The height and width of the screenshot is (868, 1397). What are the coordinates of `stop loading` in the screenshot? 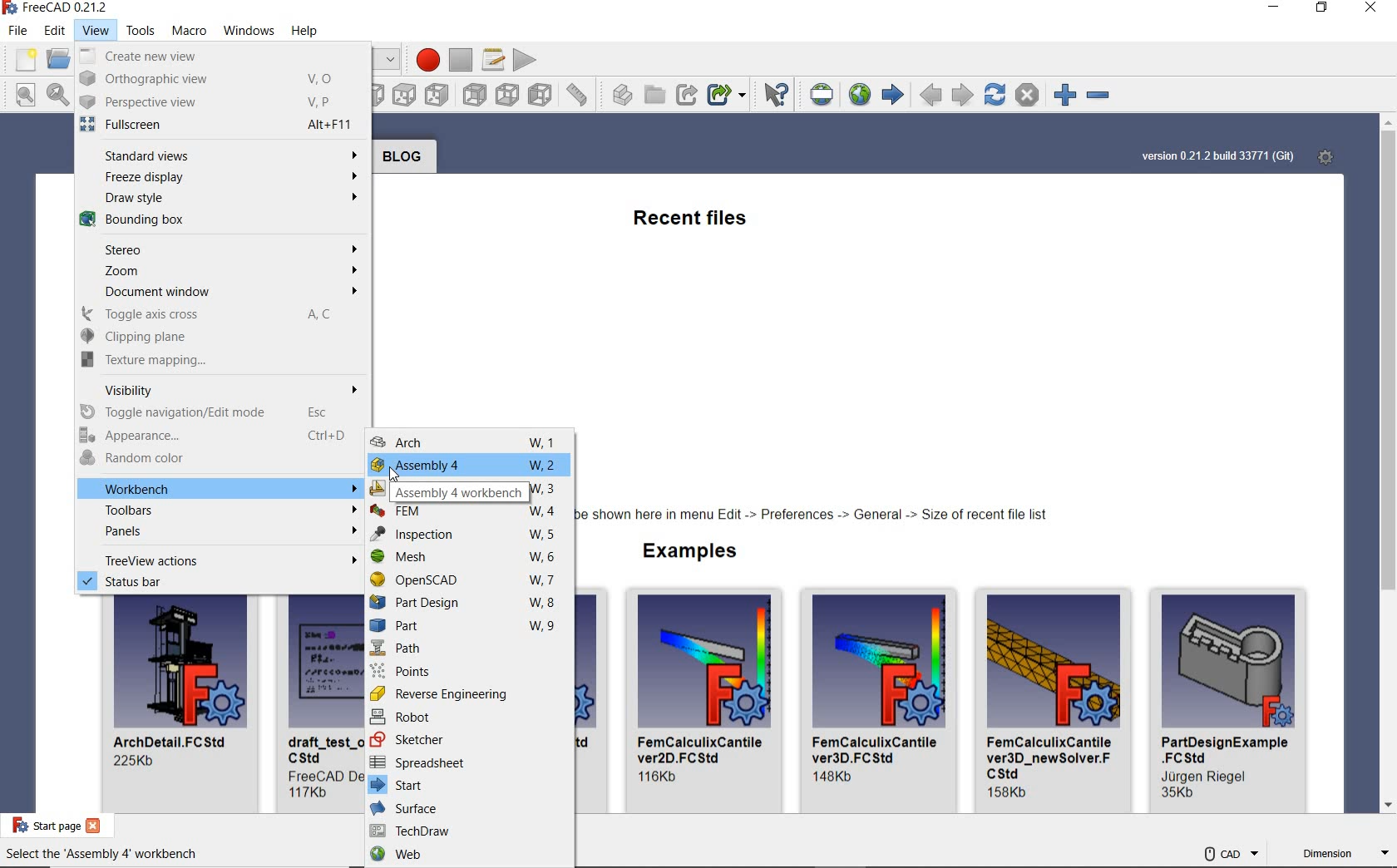 It's located at (1027, 95).